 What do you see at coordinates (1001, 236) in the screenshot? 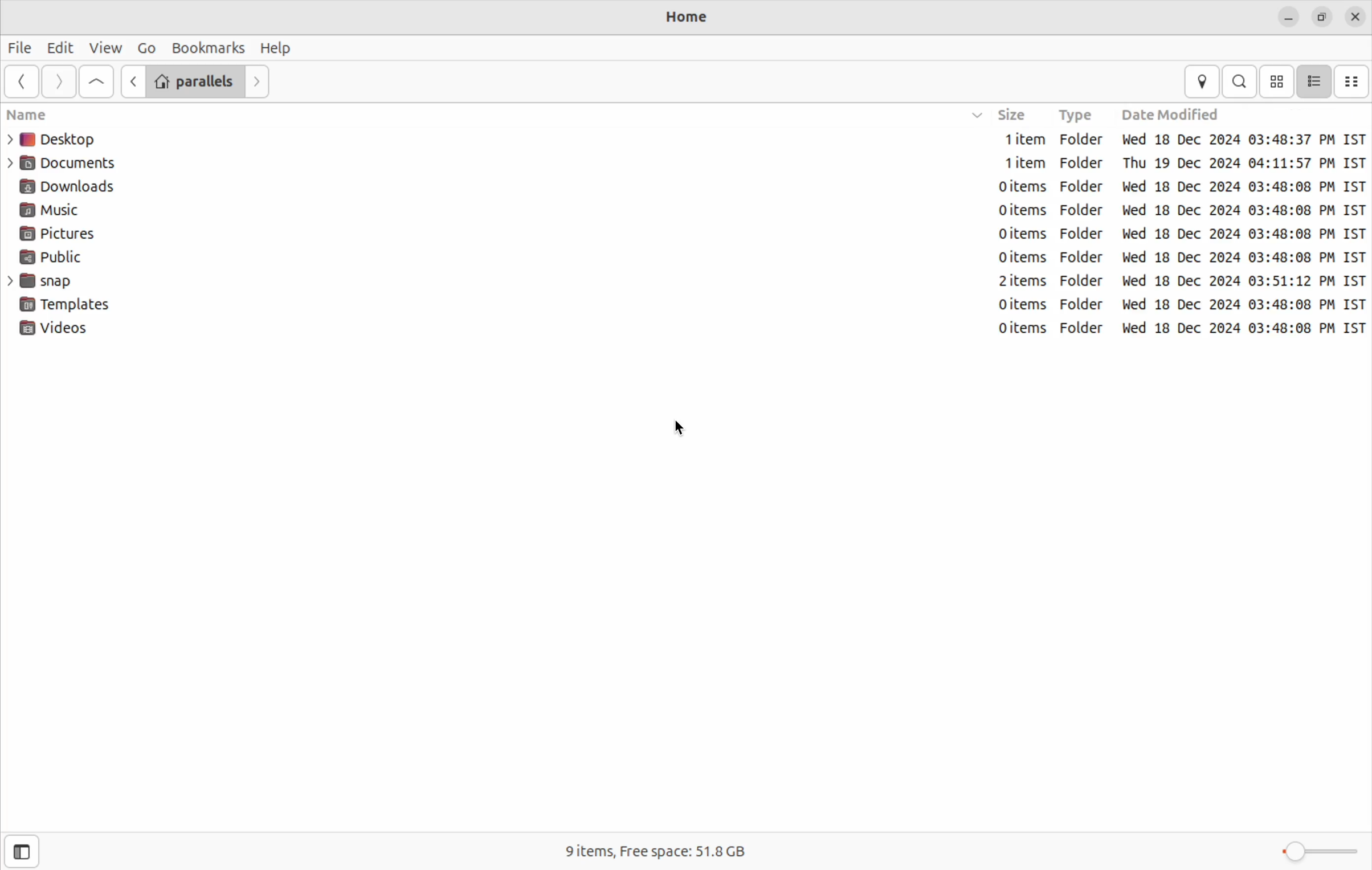
I see `0 items` at bounding box center [1001, 236].